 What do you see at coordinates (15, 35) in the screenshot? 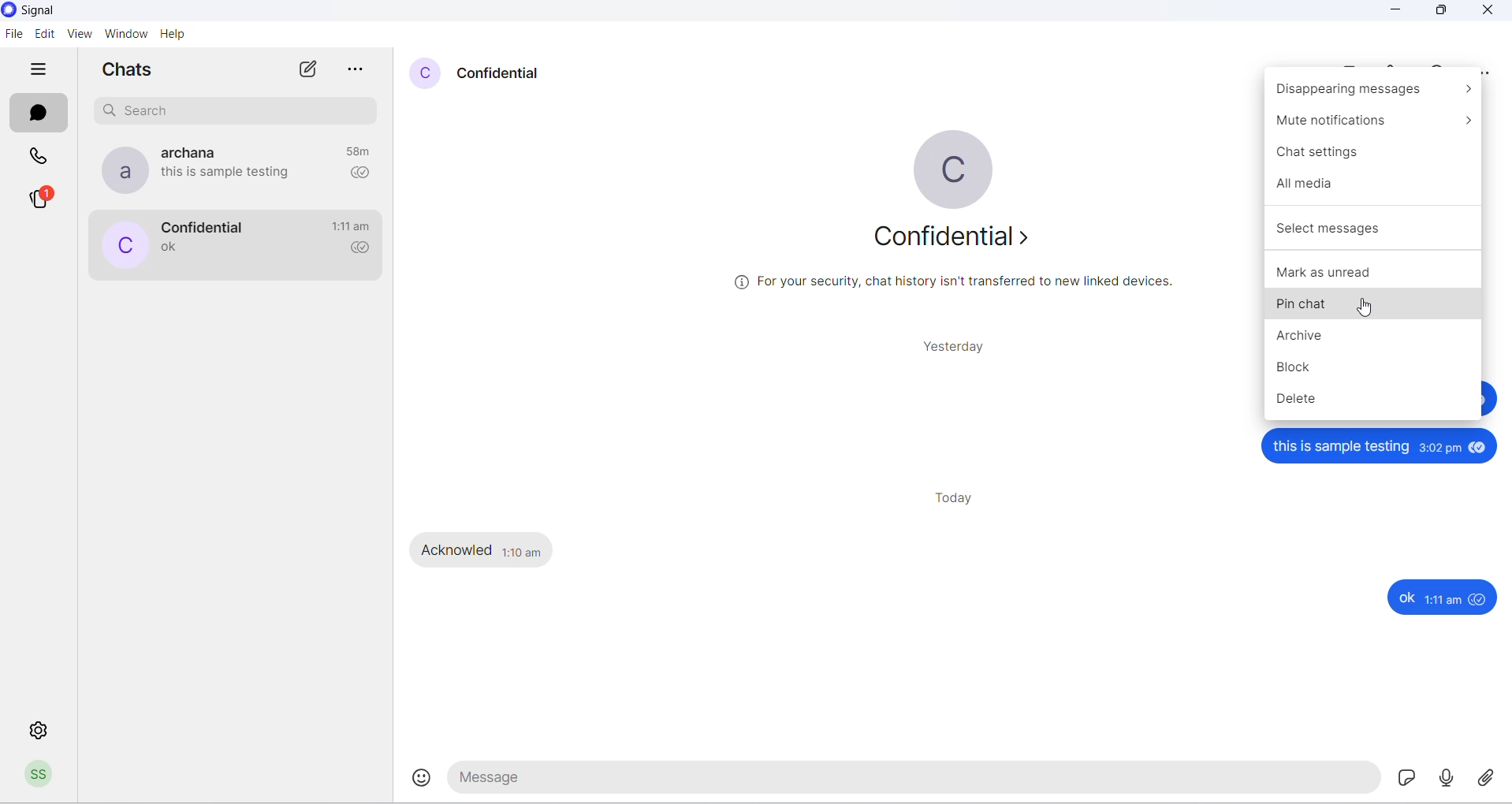
I see `file` at bounding box center [15, 35].